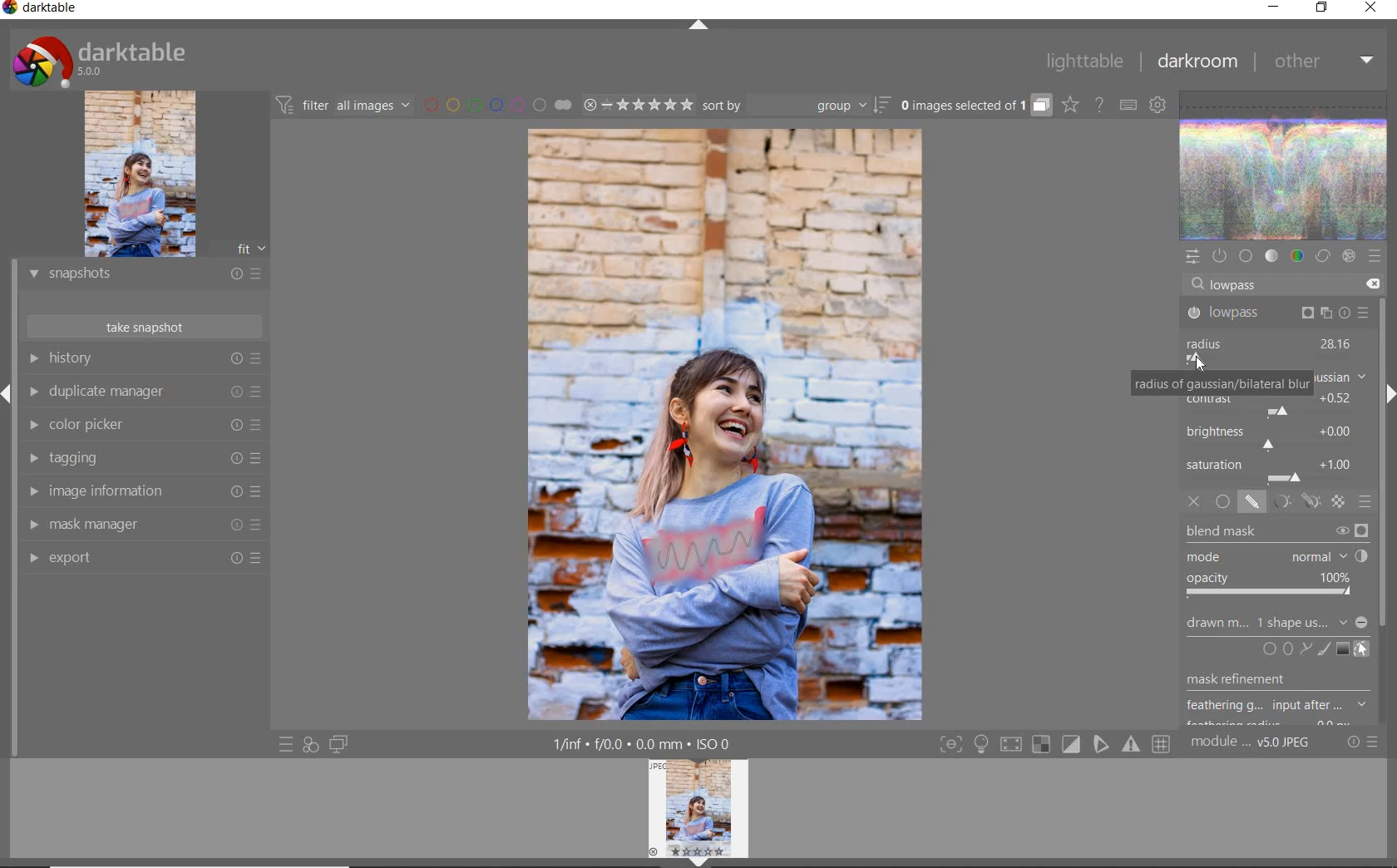  What do you see at coordinates (1281, 562) in the screenshot?
I see `blend mask` at bounding box center [1281, 562].